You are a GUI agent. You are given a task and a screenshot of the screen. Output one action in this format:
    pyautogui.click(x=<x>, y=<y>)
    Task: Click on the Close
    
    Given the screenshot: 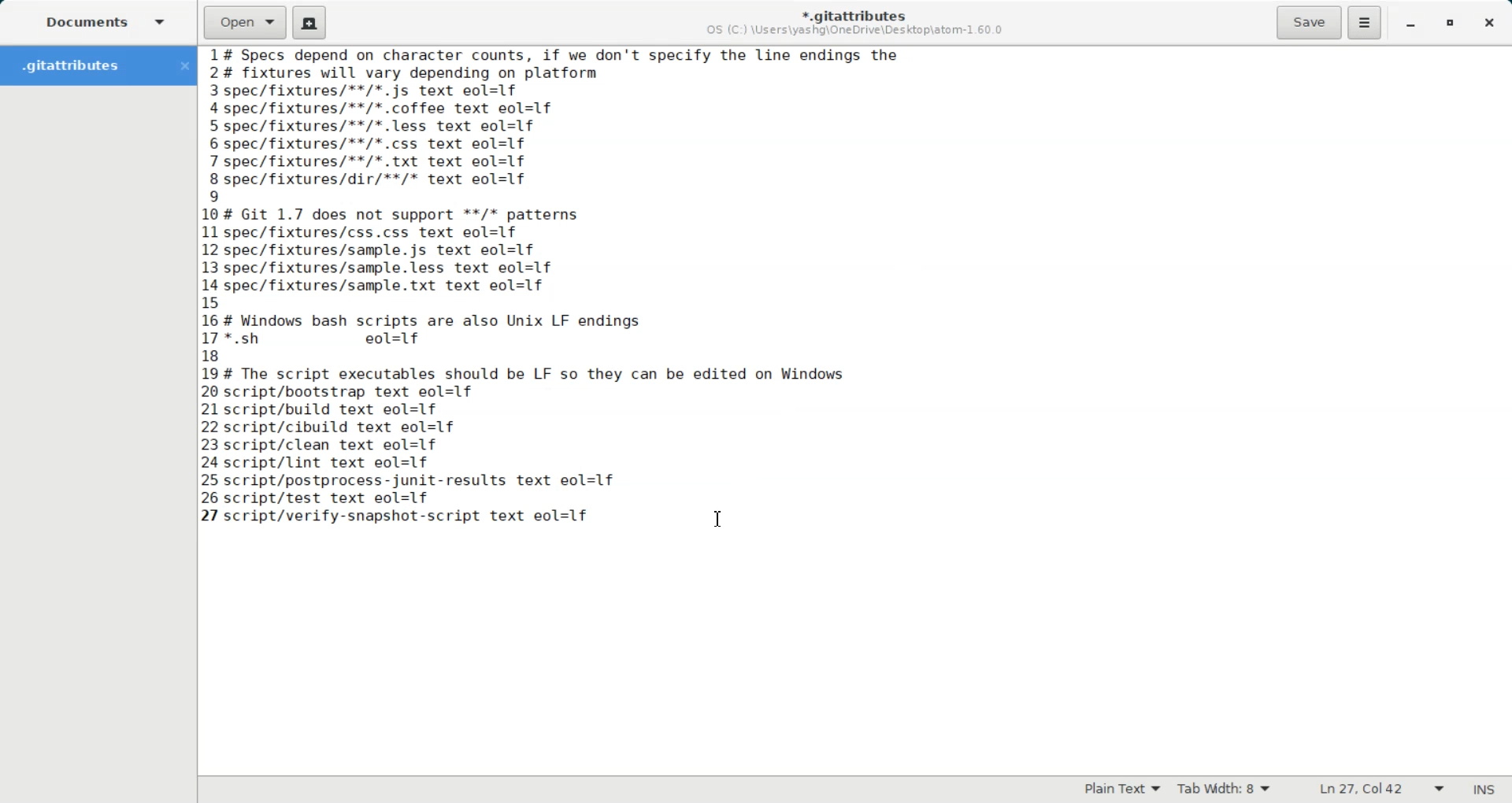 What is the action you would take?
    pyautogui.click(x=1489, y=24)
    